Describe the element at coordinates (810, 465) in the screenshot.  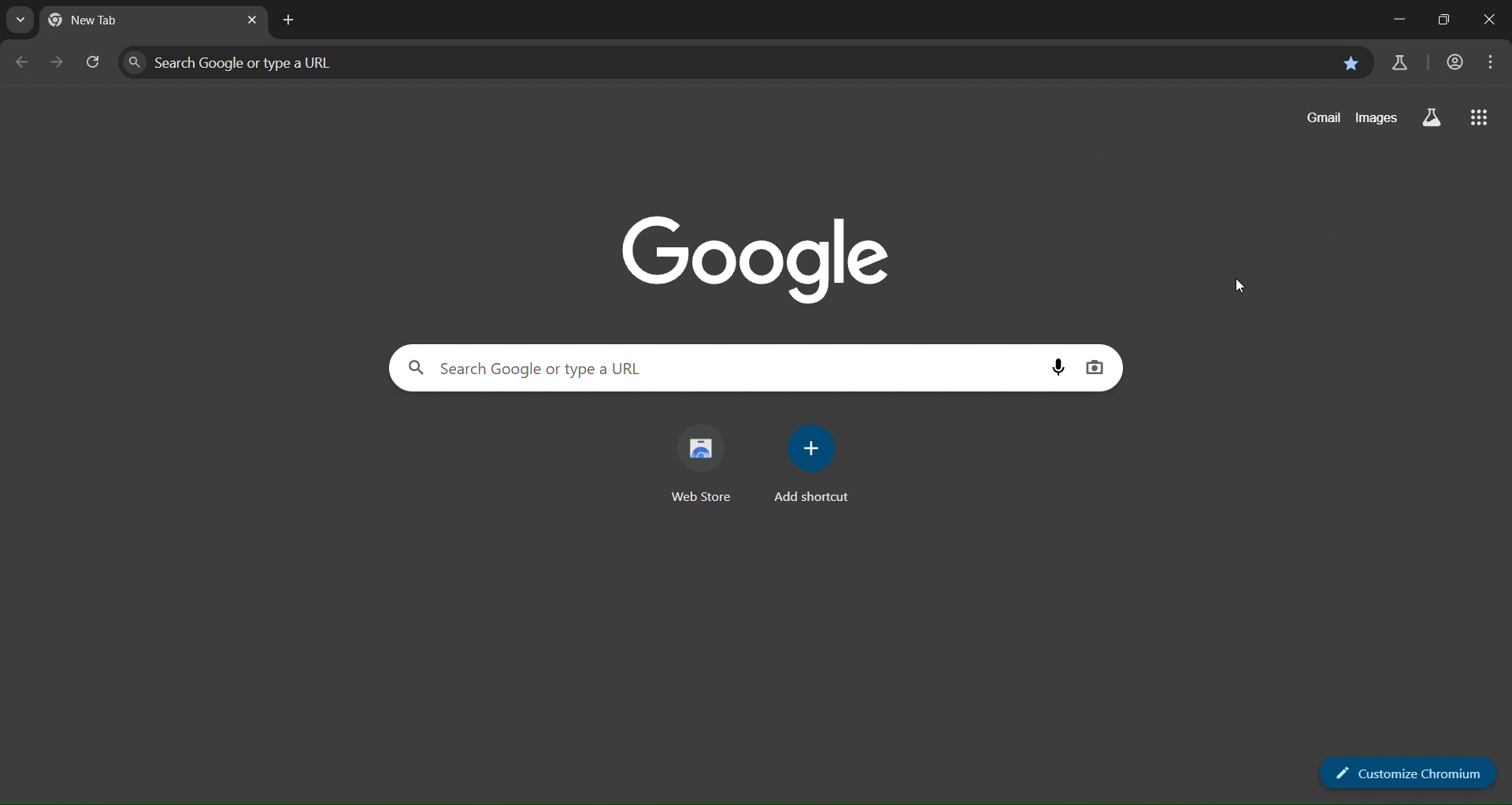
I see `add shortcut` at that location.